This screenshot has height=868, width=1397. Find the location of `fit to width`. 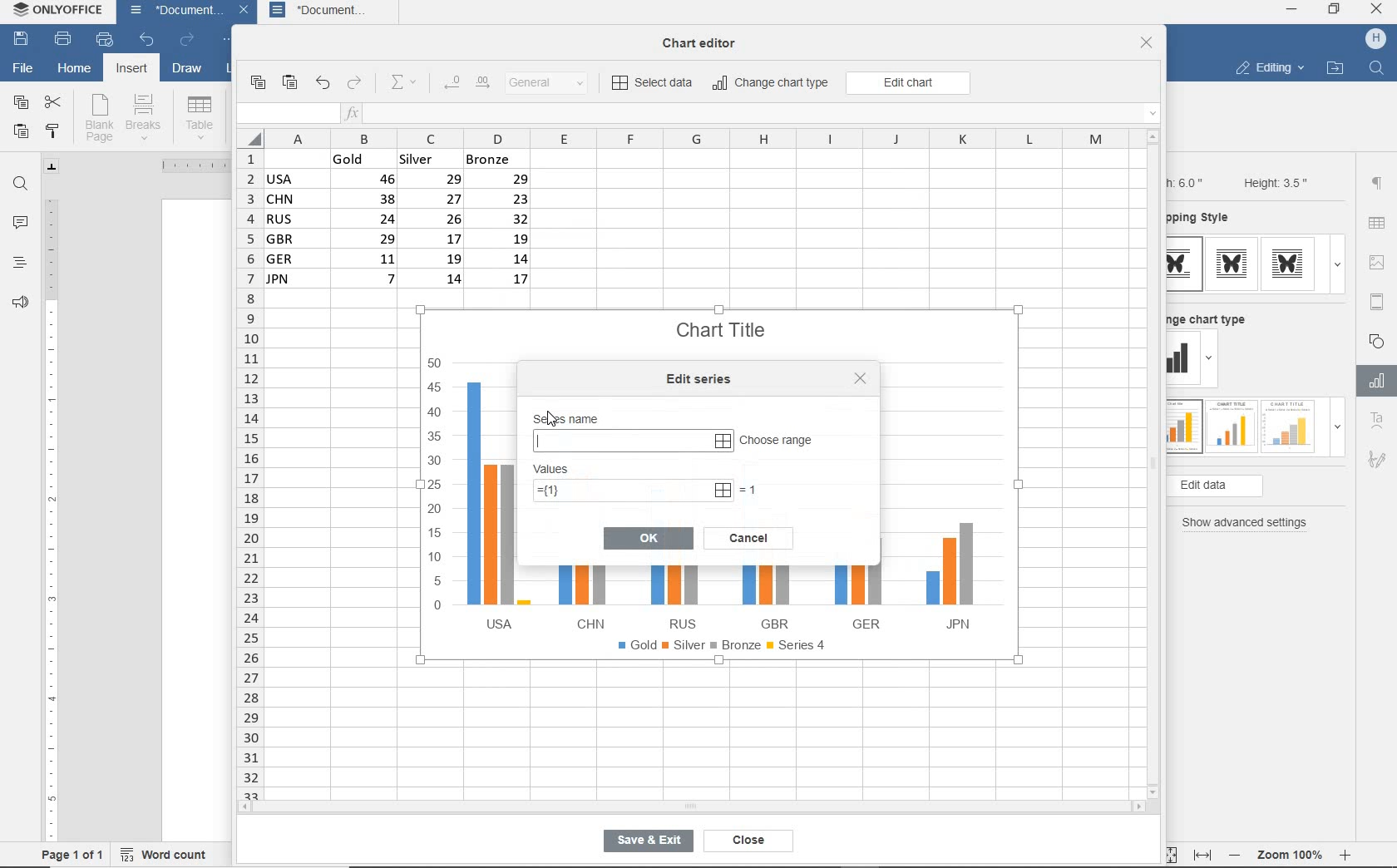

fit to width is located at coordinates (1202, 855).